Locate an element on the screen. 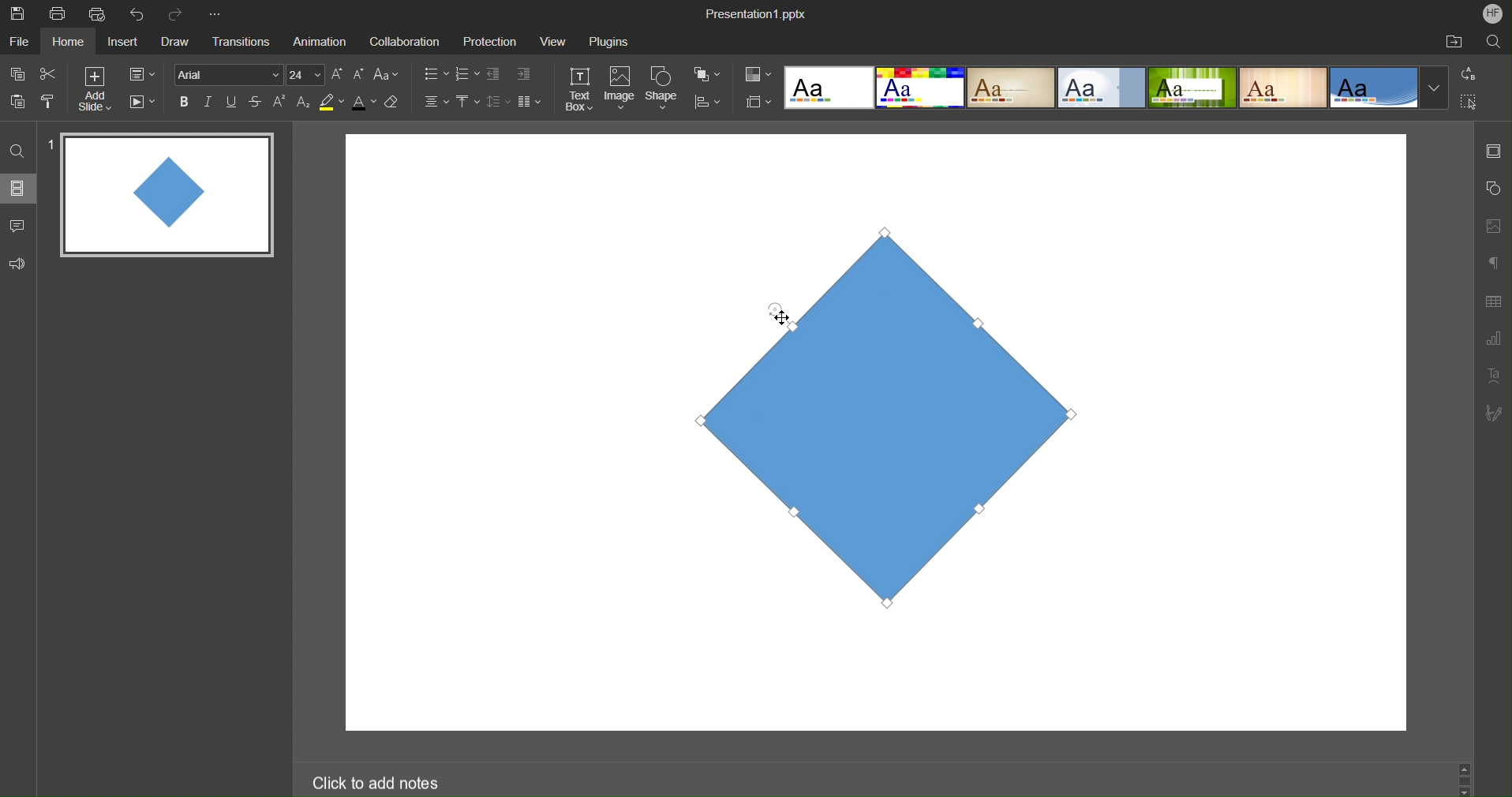 This screenshot has width=1512, height=797. Select All is located at coordinates (1469, 101).